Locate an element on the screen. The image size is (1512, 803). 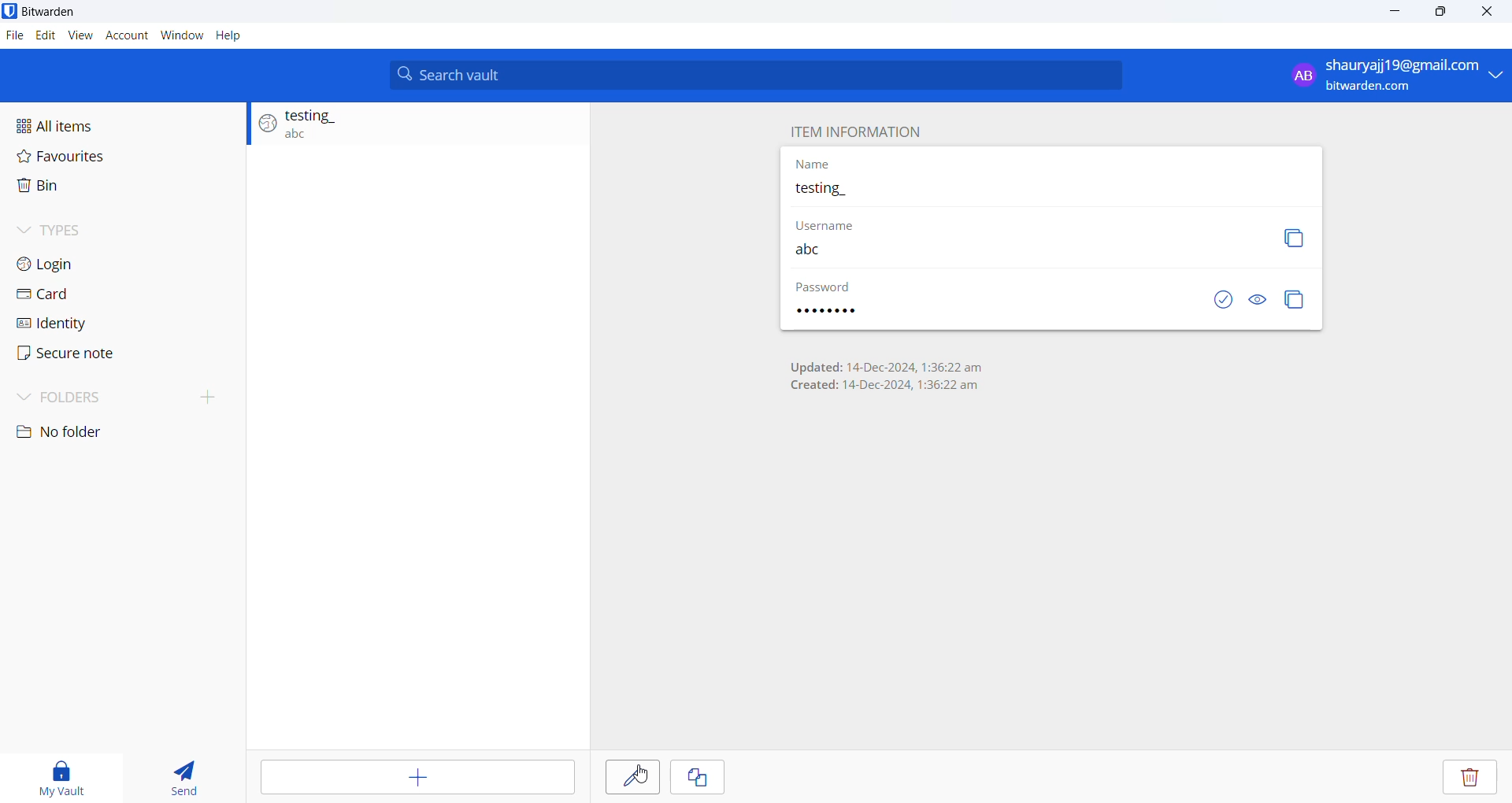
Help is located at coordinates (229, 35).